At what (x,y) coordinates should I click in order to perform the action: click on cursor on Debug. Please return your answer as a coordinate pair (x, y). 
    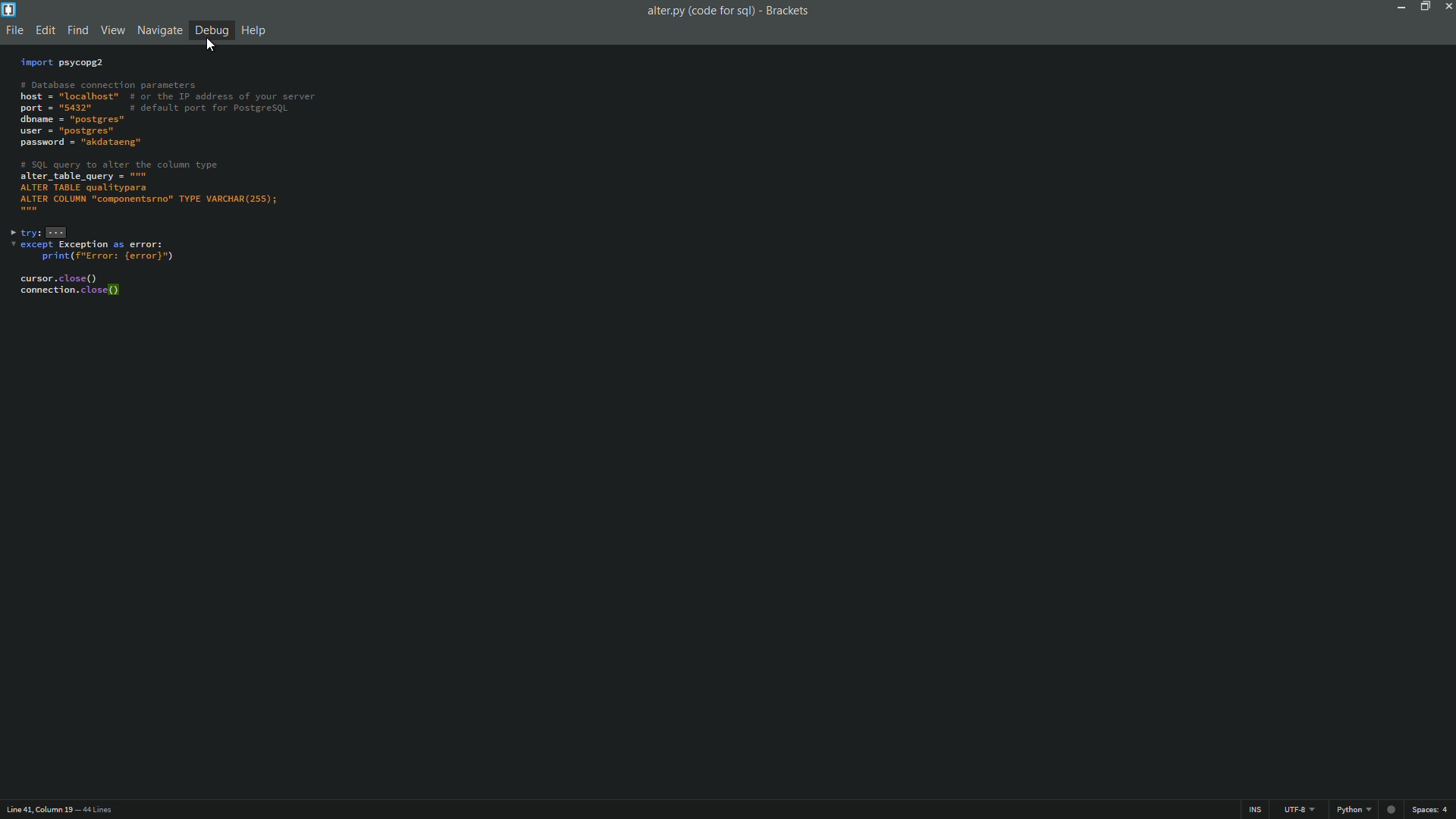
    Looking at the image, I should click on (216, 45).